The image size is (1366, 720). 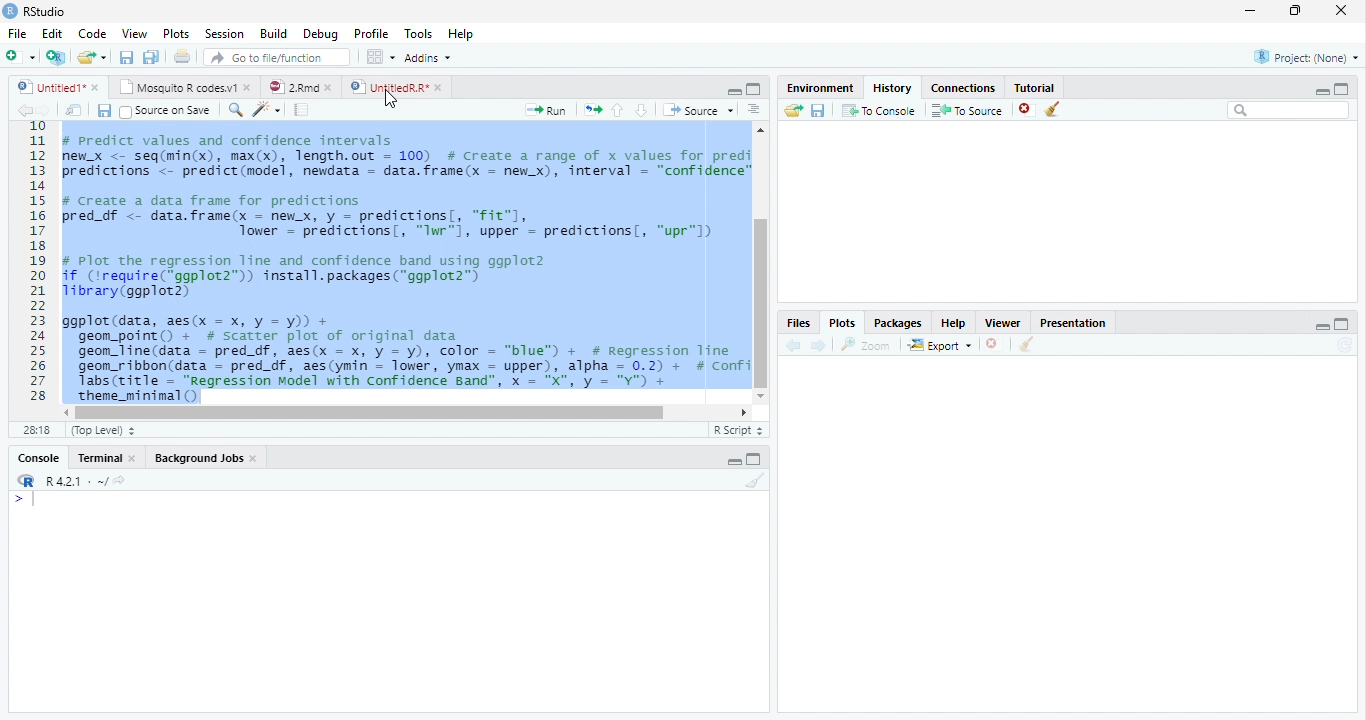 I want to click on Project (None), so click(x=1307, y=56).